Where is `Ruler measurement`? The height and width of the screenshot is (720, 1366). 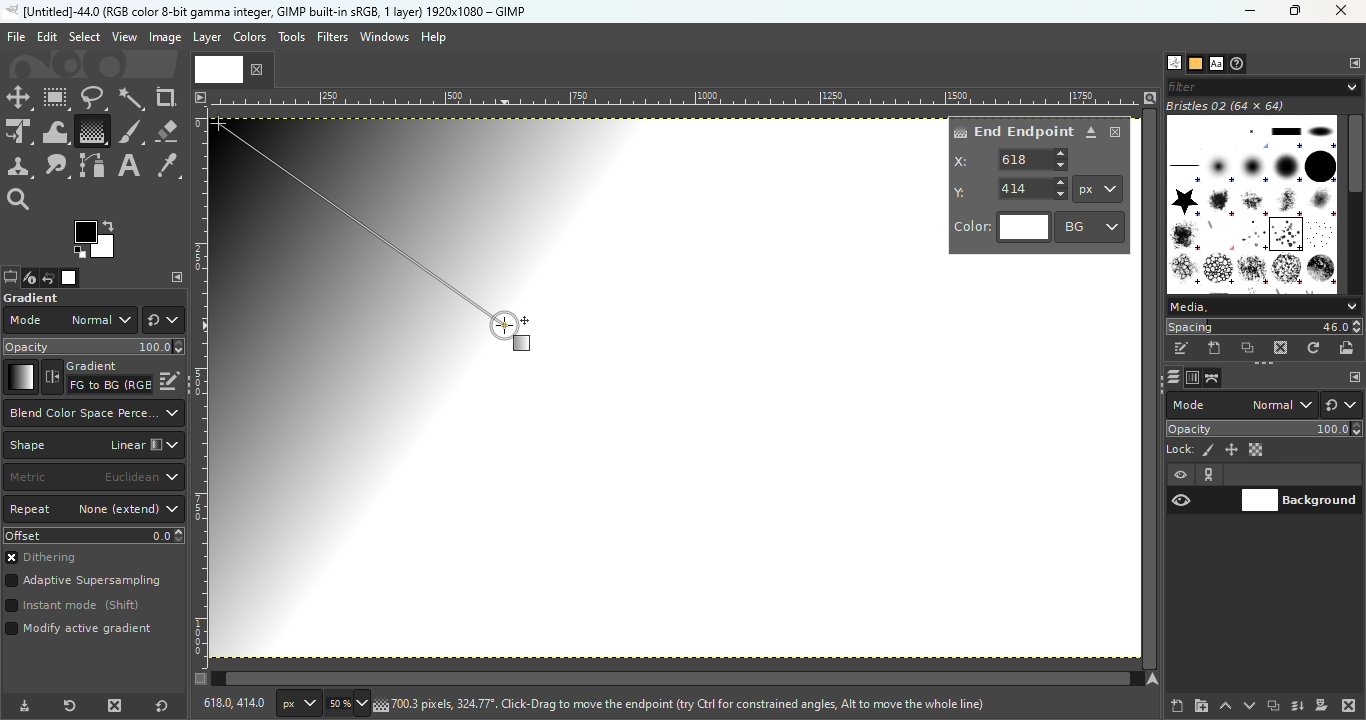 Ruler measurement is located at coordinates (1098, 189).